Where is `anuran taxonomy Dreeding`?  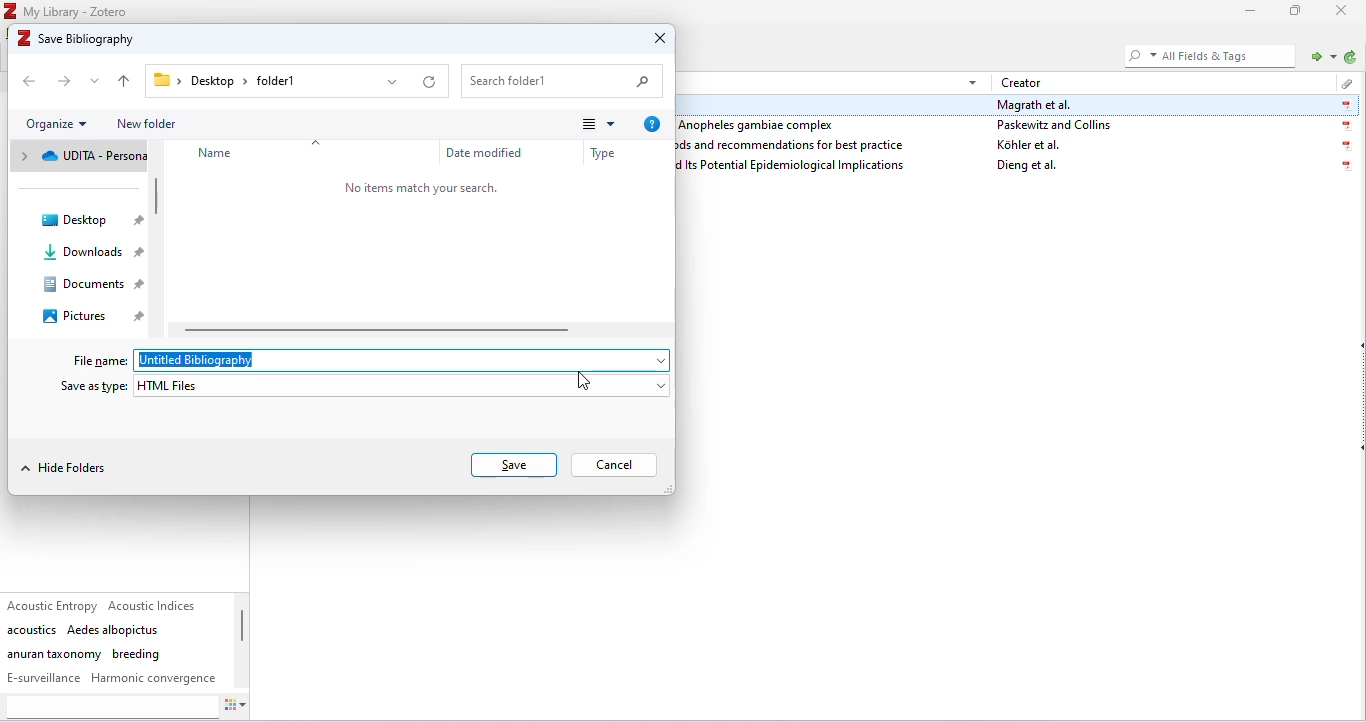
anuran taxonomy Dreeding is located at coordinates (84, 654).